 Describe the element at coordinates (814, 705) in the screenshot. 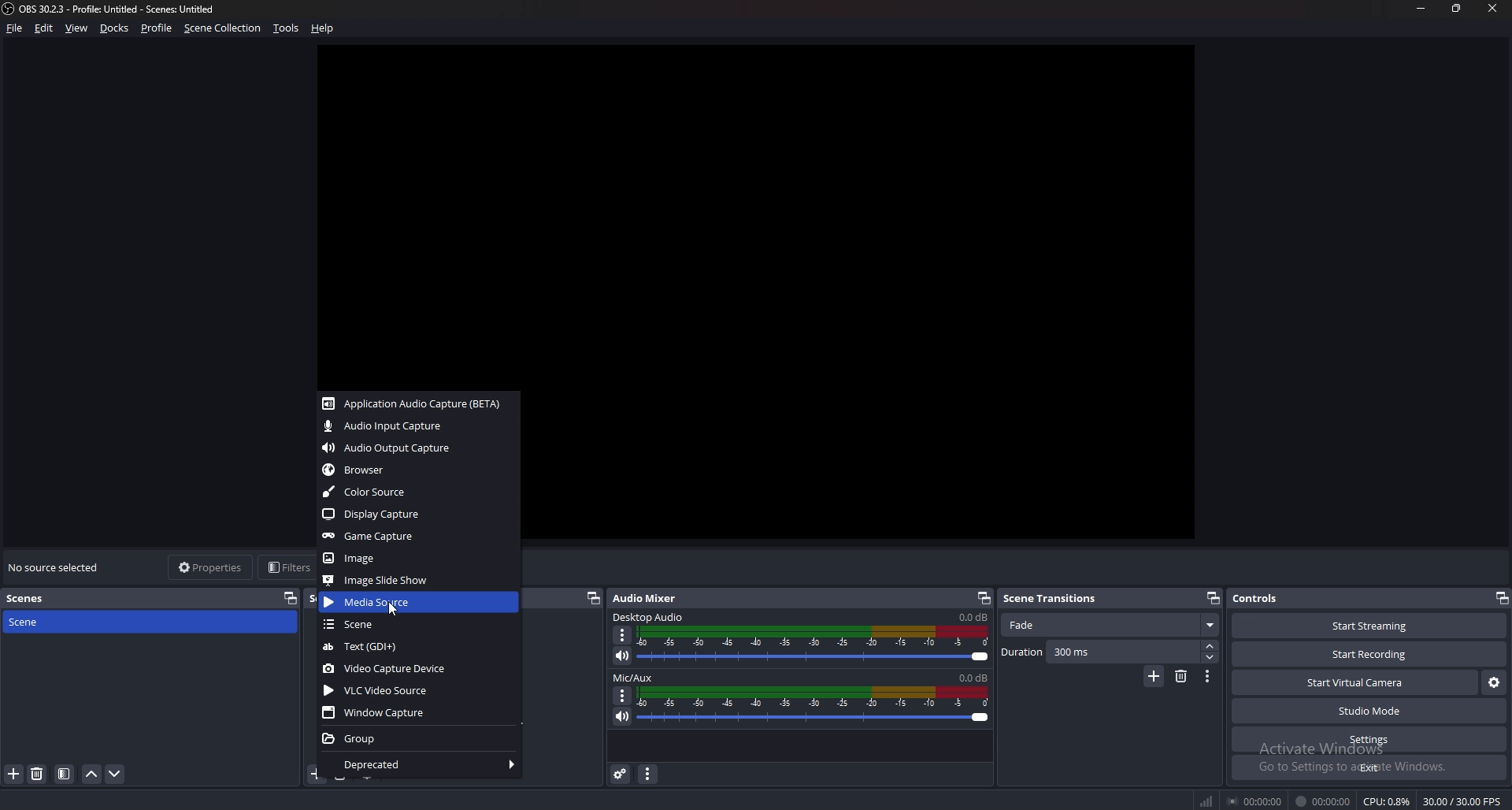

I see ` mic Soundbar` at that location.